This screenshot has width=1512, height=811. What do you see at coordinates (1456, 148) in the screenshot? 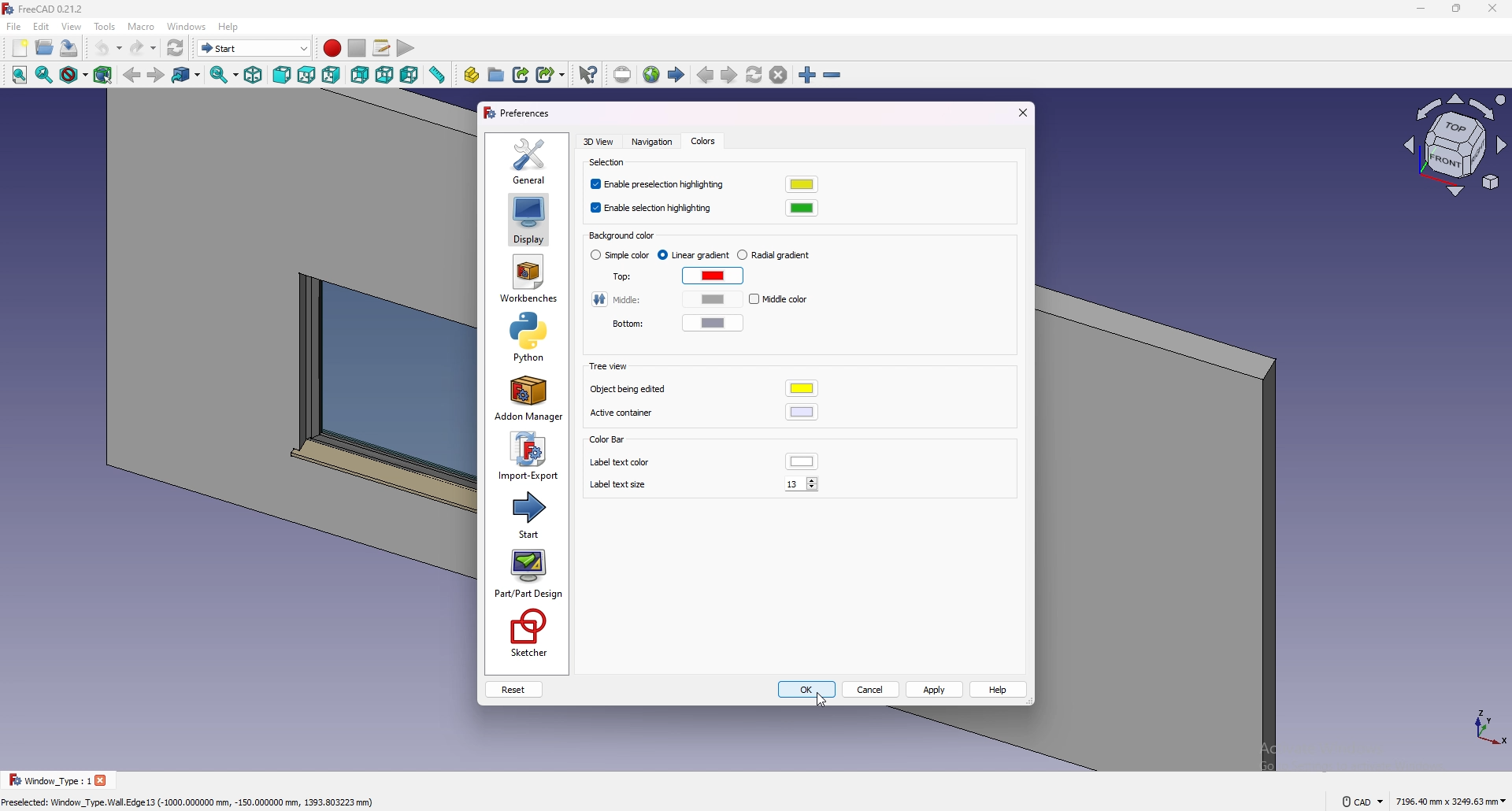
I see `view` at bounding box center [1456, 148].